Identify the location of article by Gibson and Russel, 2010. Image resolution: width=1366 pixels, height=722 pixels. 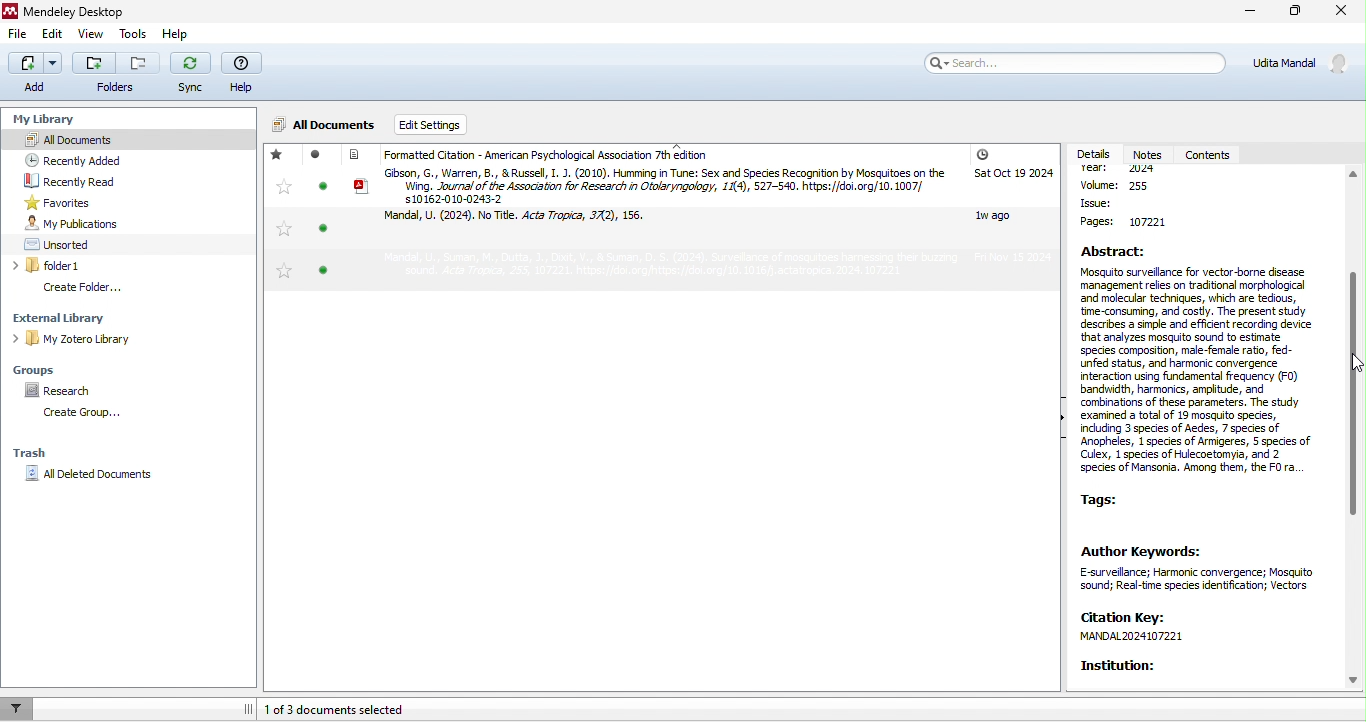
(651, 185).